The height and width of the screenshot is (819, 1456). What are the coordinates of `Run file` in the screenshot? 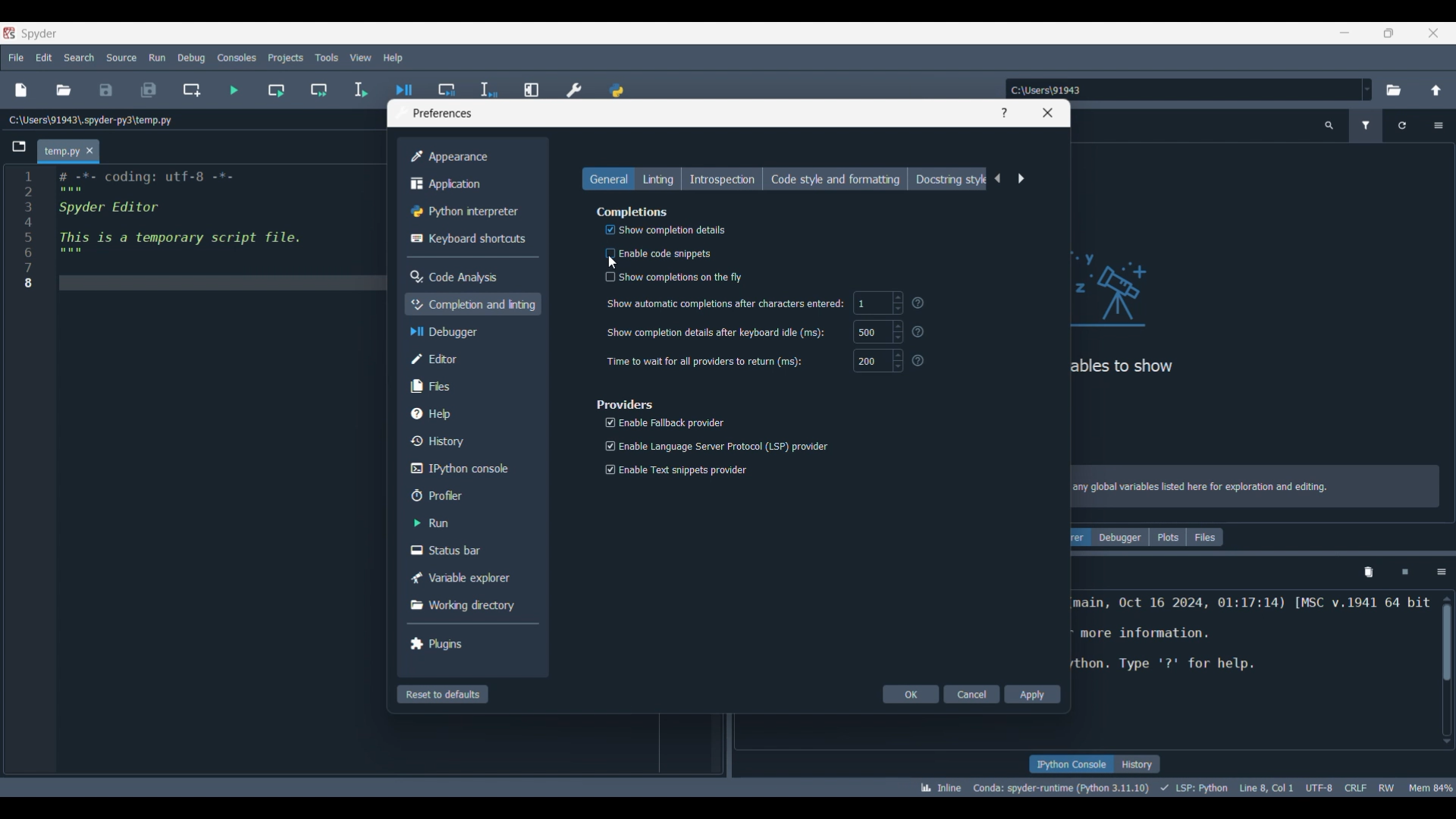 It's located at (234, 90).